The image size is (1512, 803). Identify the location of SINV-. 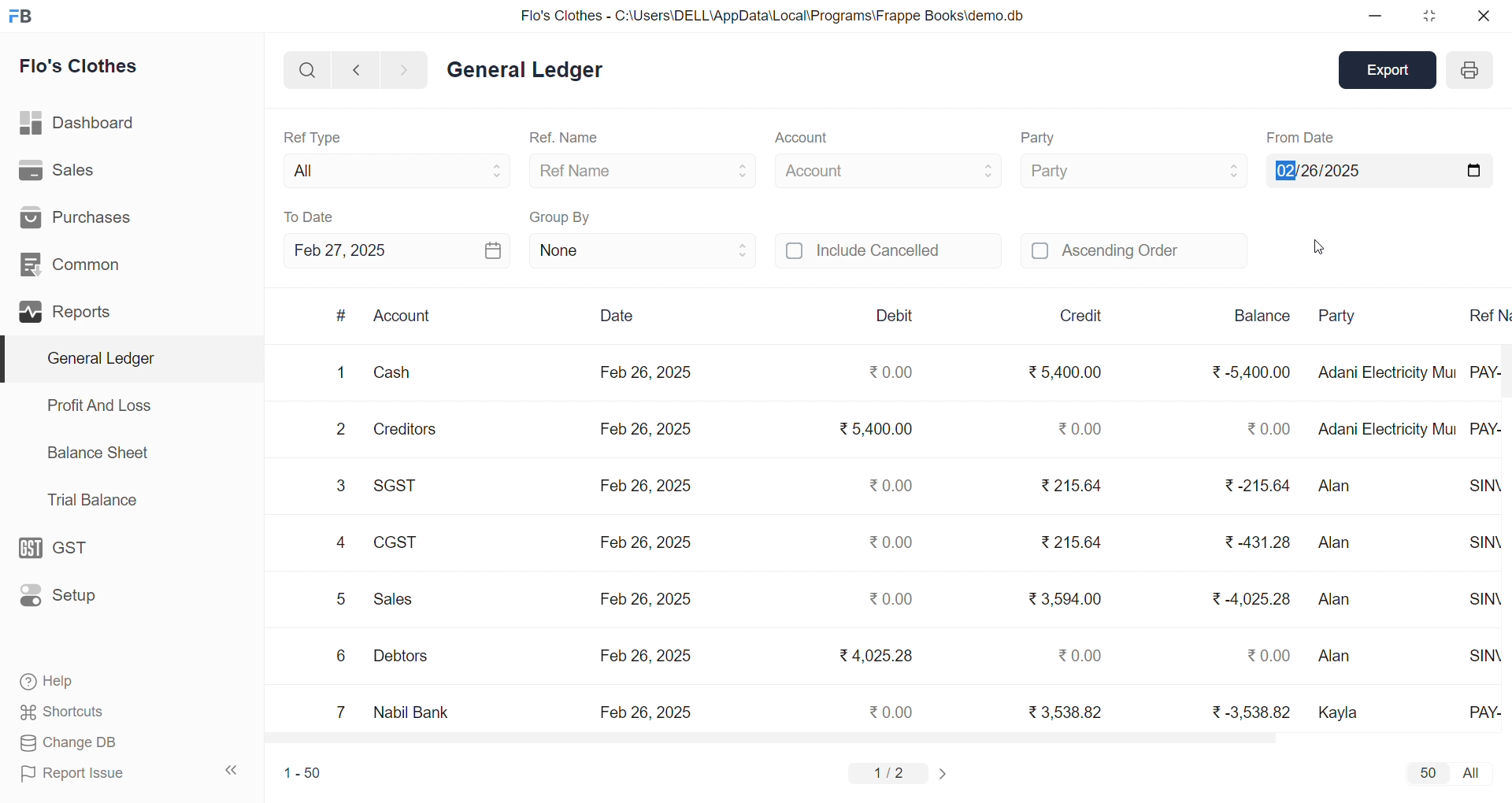
(1480, 656).